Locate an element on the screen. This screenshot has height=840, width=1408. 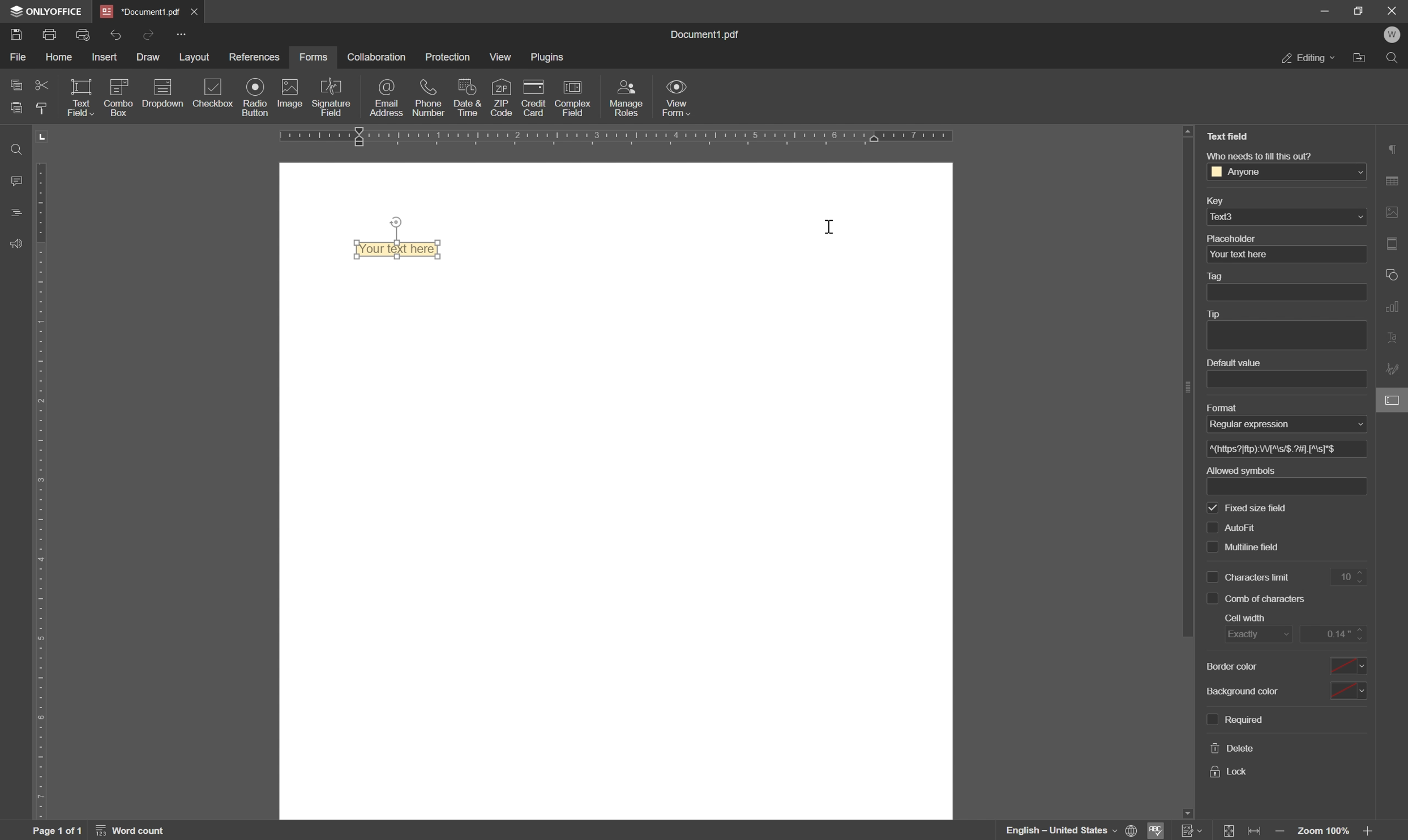
print is located at coordinates (51, 36).